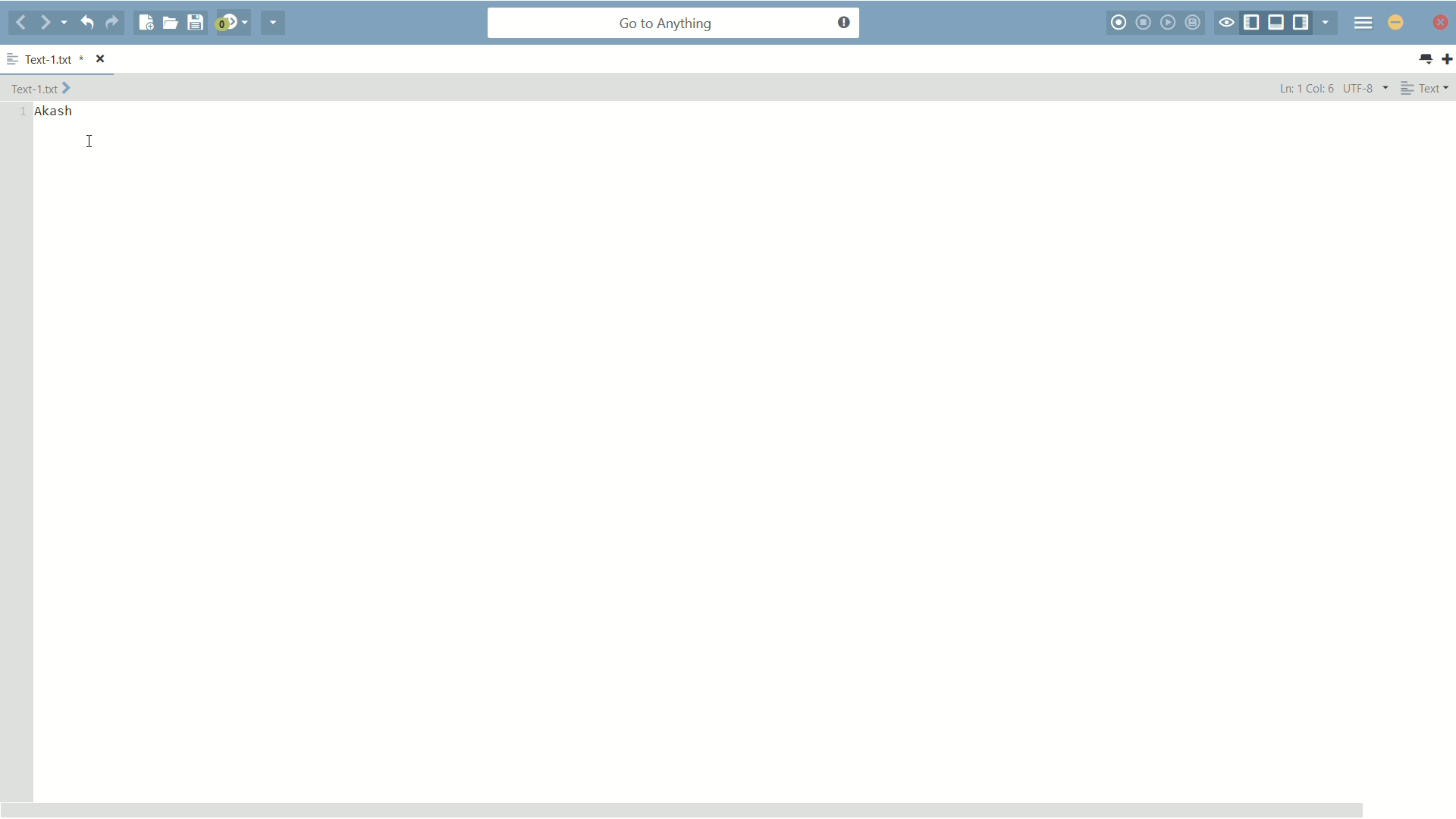 The width and height of the screenshot is (1456, 819). What do you see at coordinates (1277, 23) in the screenshot?
I see `show/hide bottom panel` at bounding box center [1277, 23].